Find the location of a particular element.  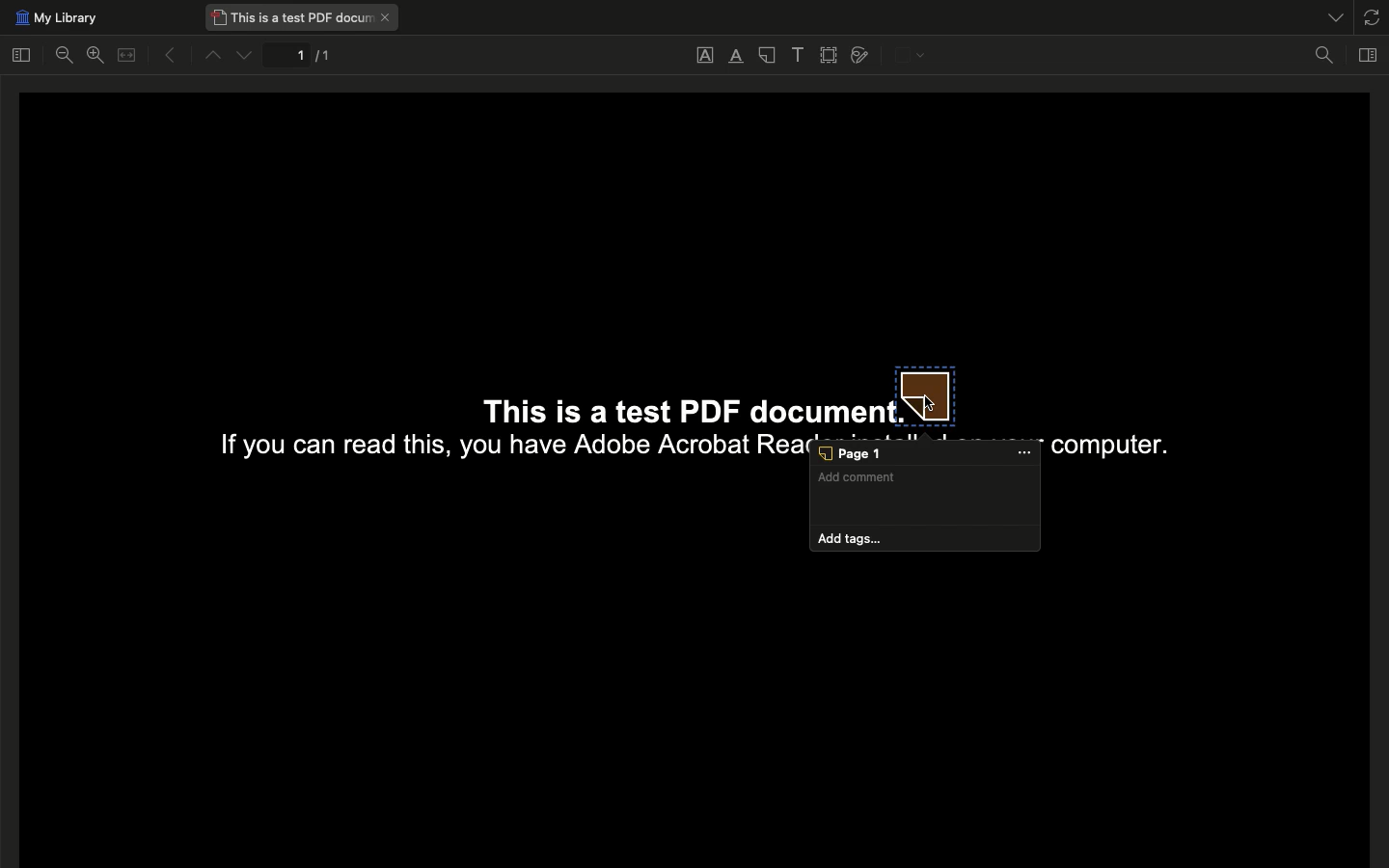

Note annotation is located at coordinates (927, 396).